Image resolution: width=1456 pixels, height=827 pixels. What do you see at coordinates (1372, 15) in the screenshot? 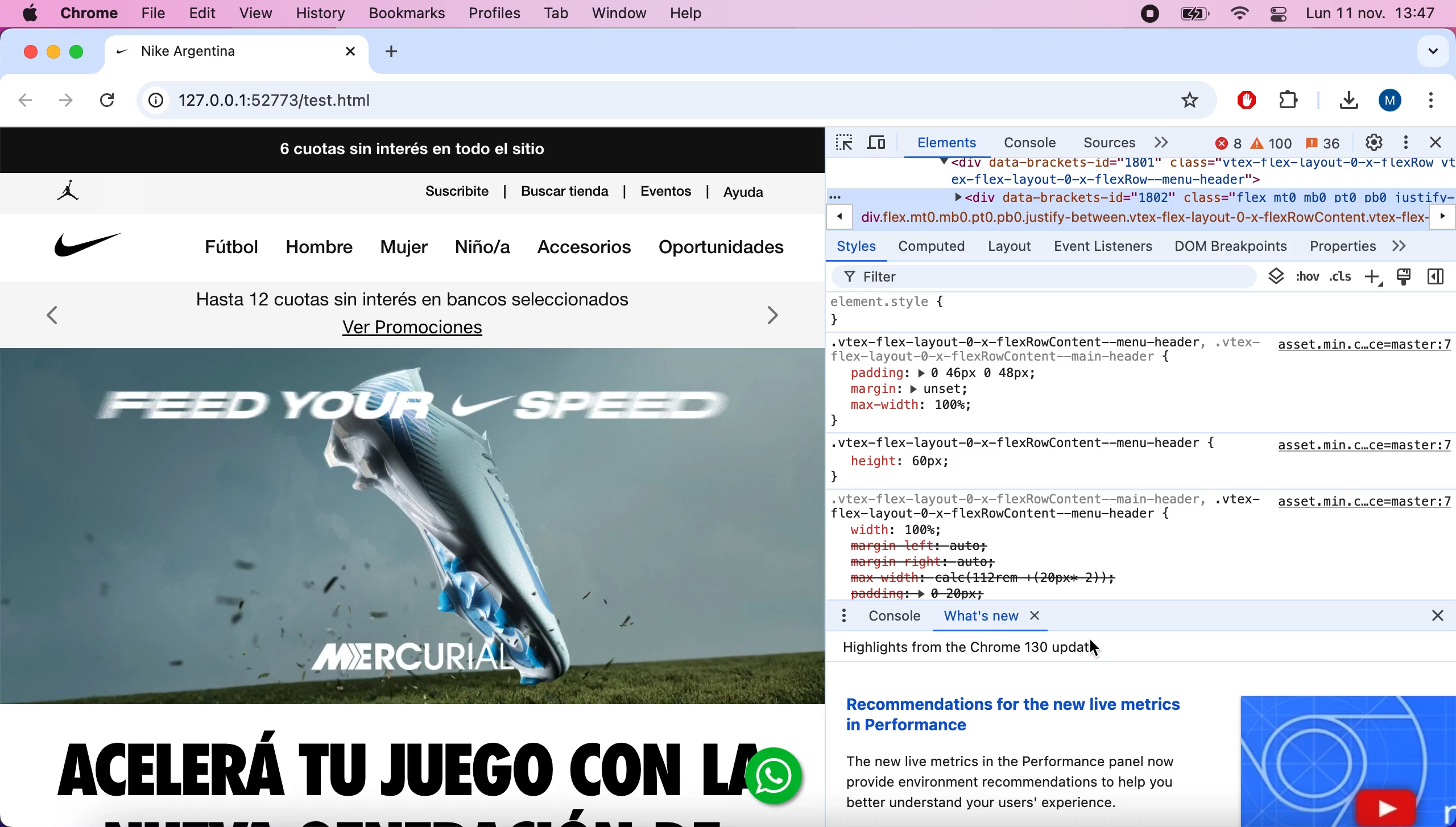
I see `time and date` at bounding box center [1372, 15].